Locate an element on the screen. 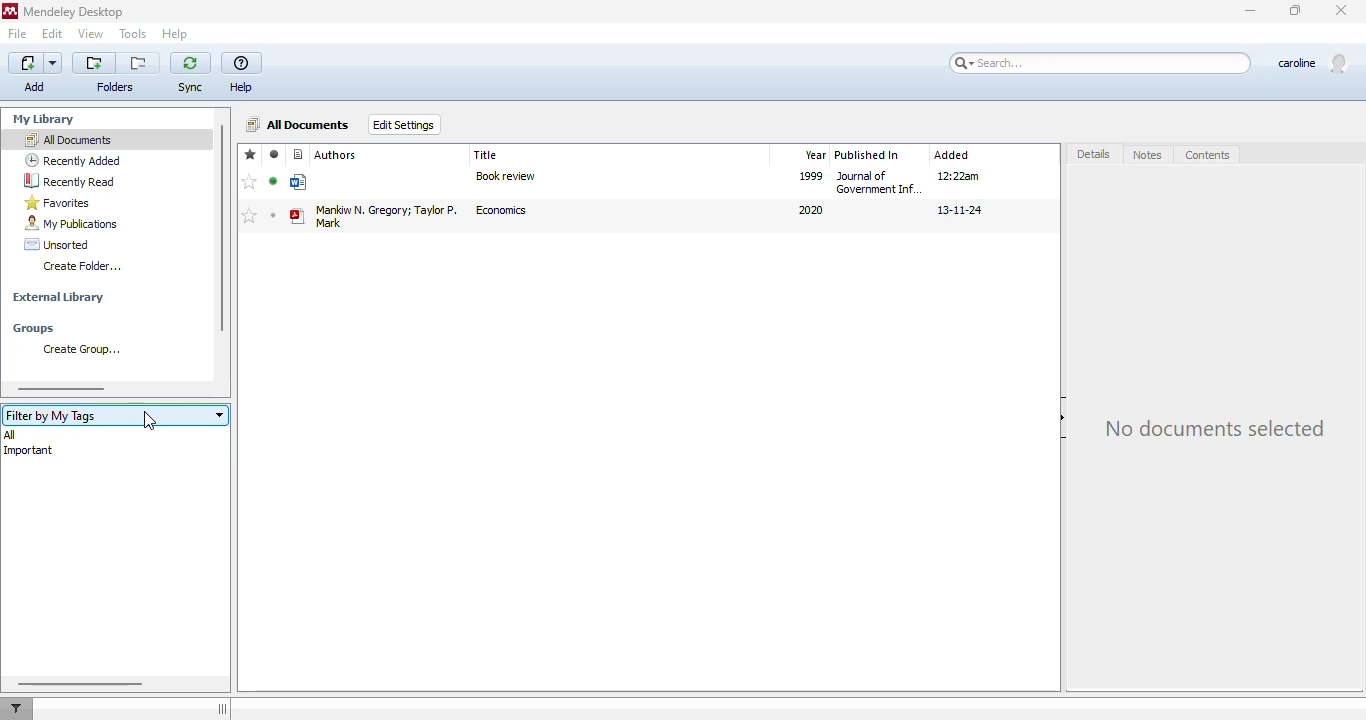  mark as favorites is located at coordinates (250, 216).